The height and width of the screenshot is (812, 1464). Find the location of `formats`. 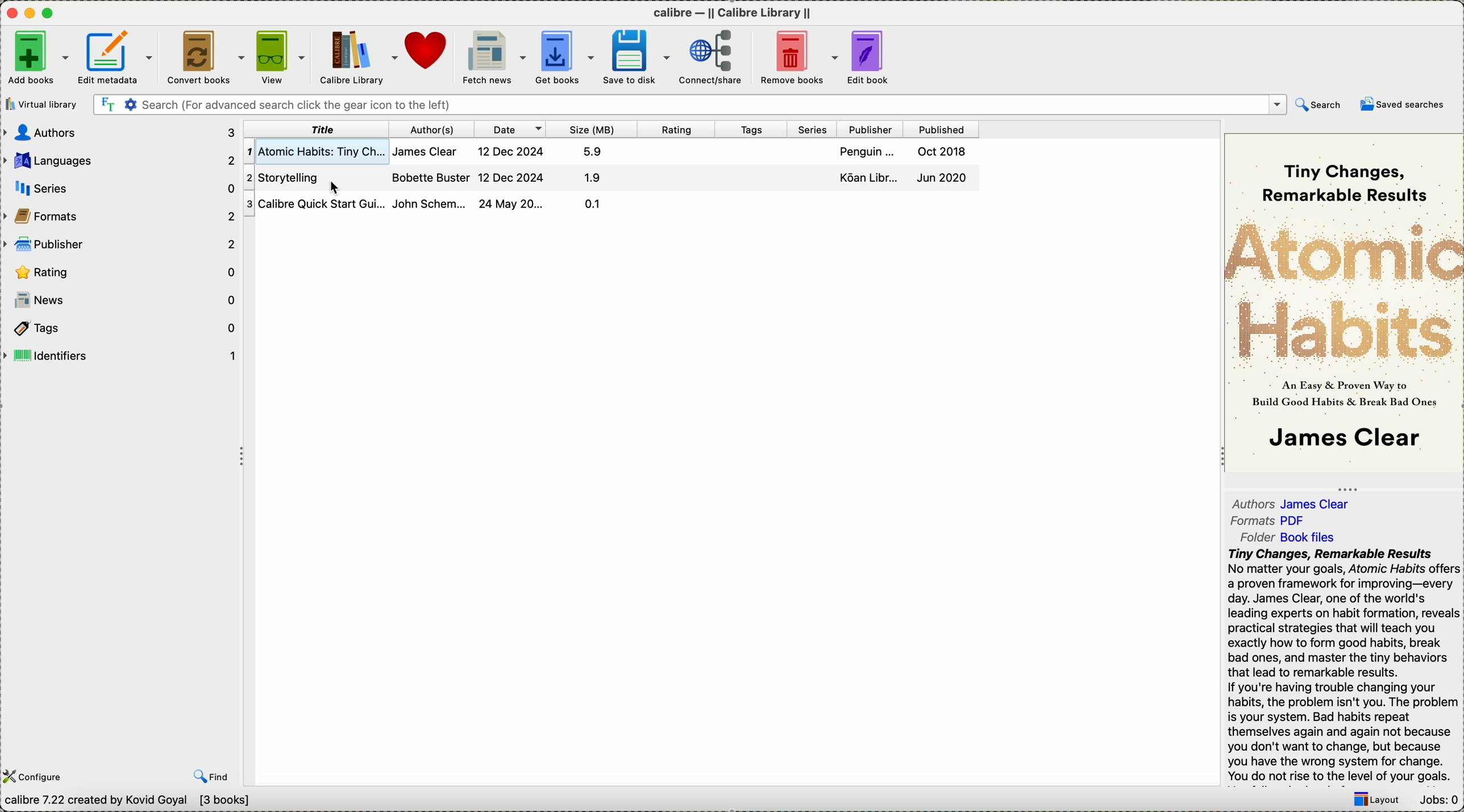

formats is located at coordinates (121, 214).